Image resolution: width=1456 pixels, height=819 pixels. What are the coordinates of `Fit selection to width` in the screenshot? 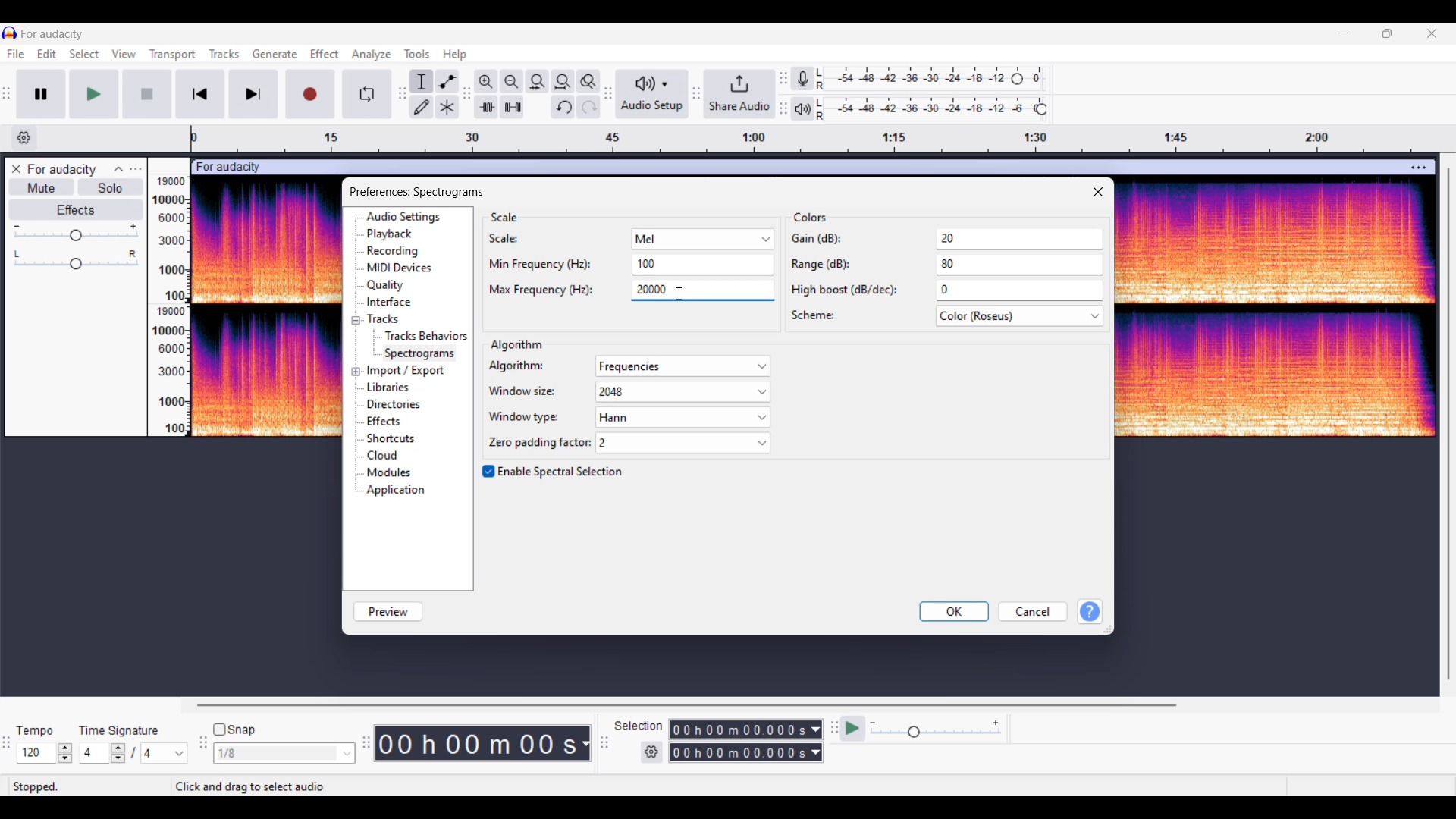 It's located at (538, 82).